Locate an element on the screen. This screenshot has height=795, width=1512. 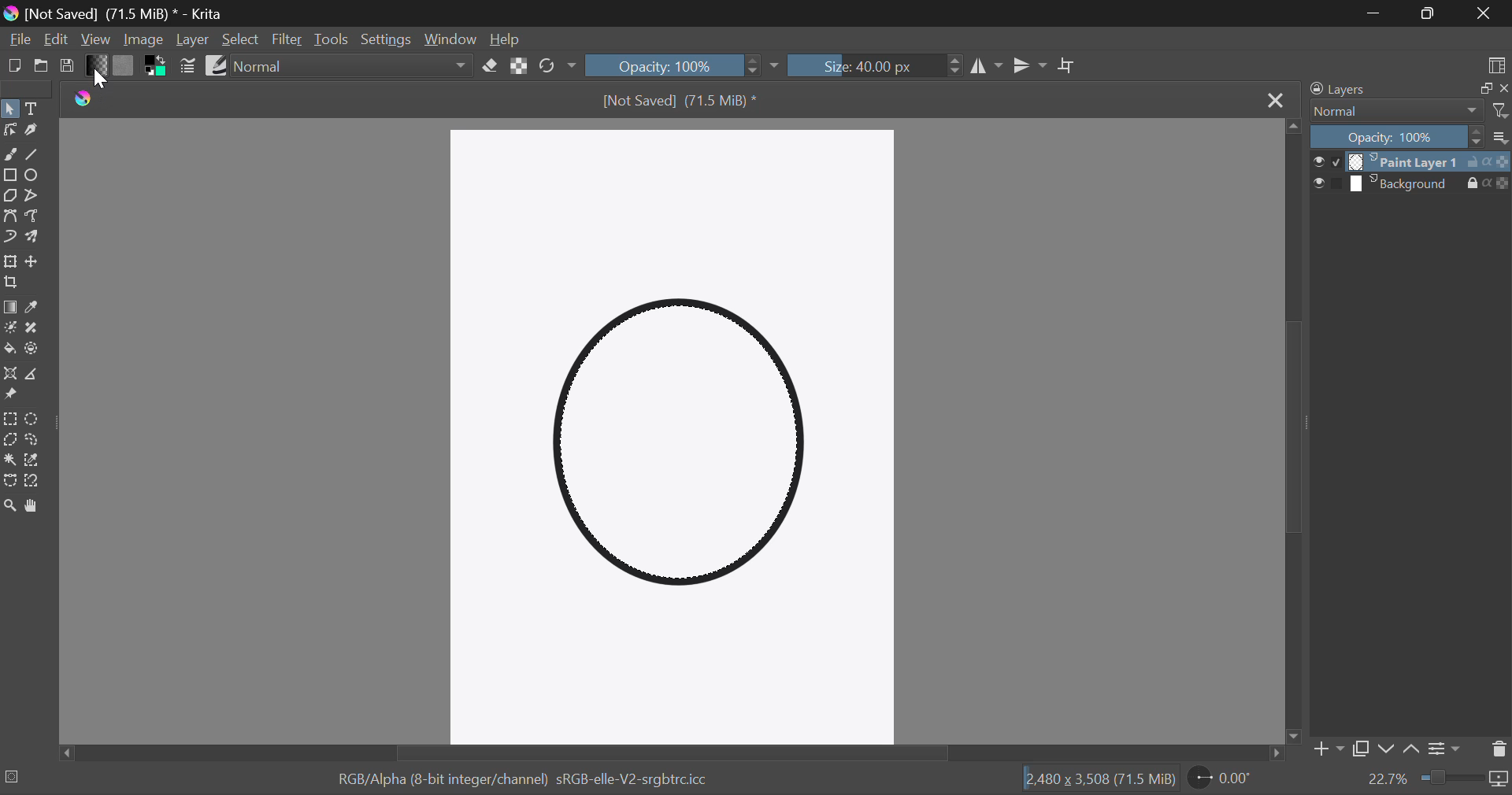
Edit is located at coordinates (55, 38).